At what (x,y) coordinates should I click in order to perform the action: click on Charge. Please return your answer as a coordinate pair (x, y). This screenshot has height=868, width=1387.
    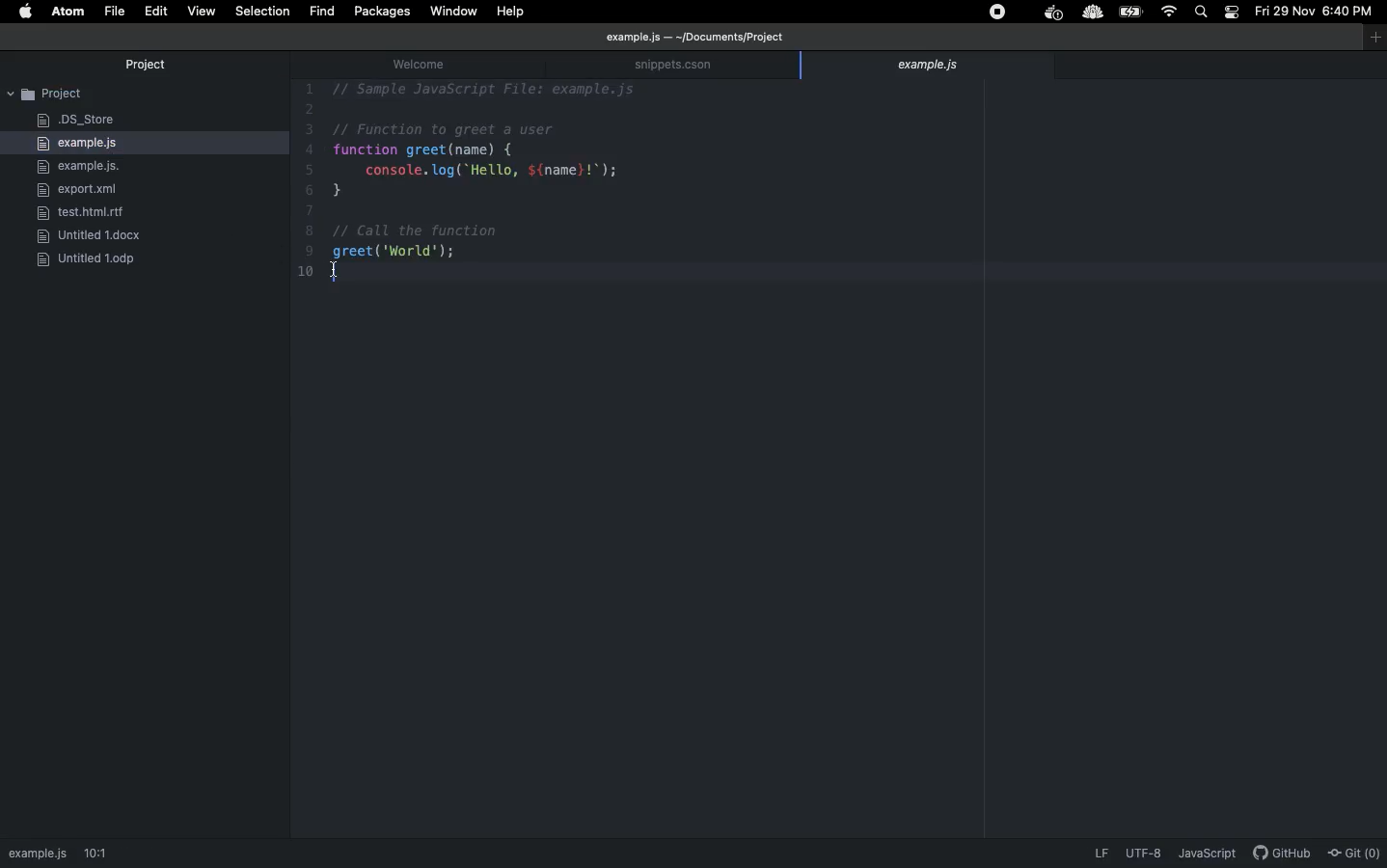
    Looking at the image, I should click on (1133, 12).